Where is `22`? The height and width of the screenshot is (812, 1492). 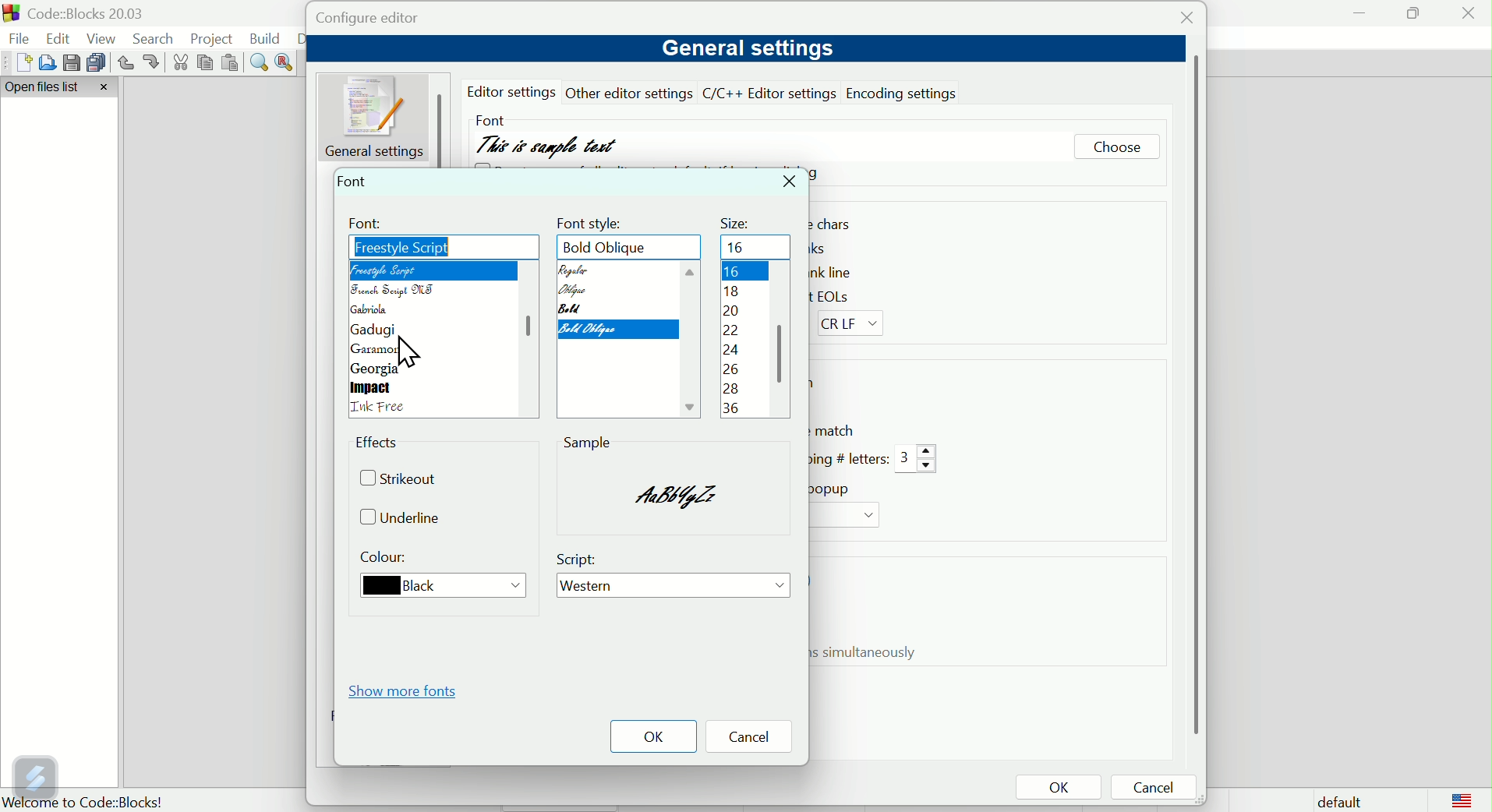 22 is located at coordinates (734, 332).